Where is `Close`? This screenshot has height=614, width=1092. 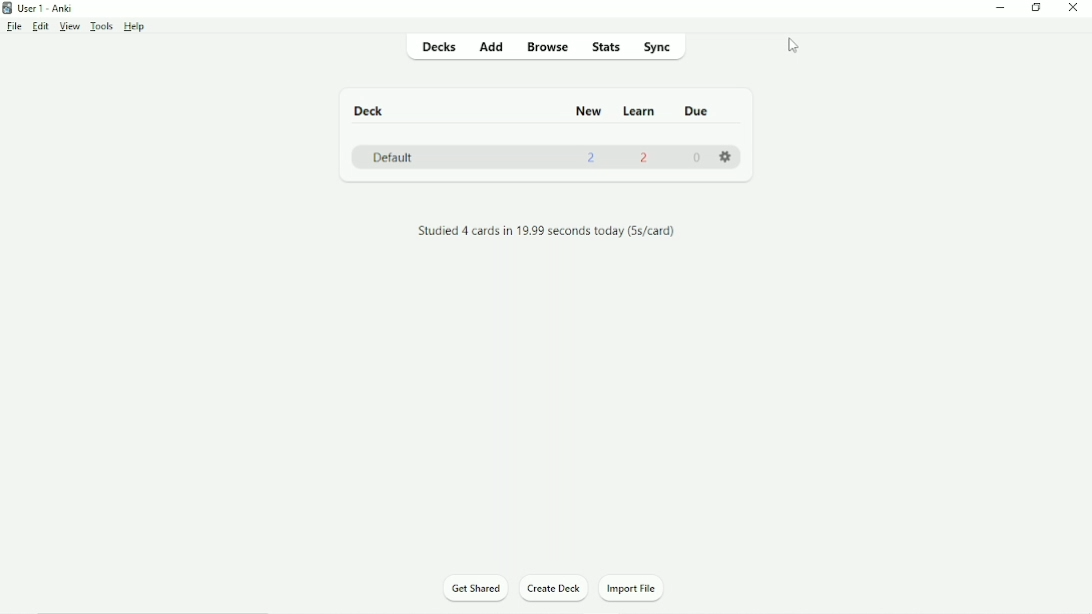
Close is located at coordinates (1078, 8).